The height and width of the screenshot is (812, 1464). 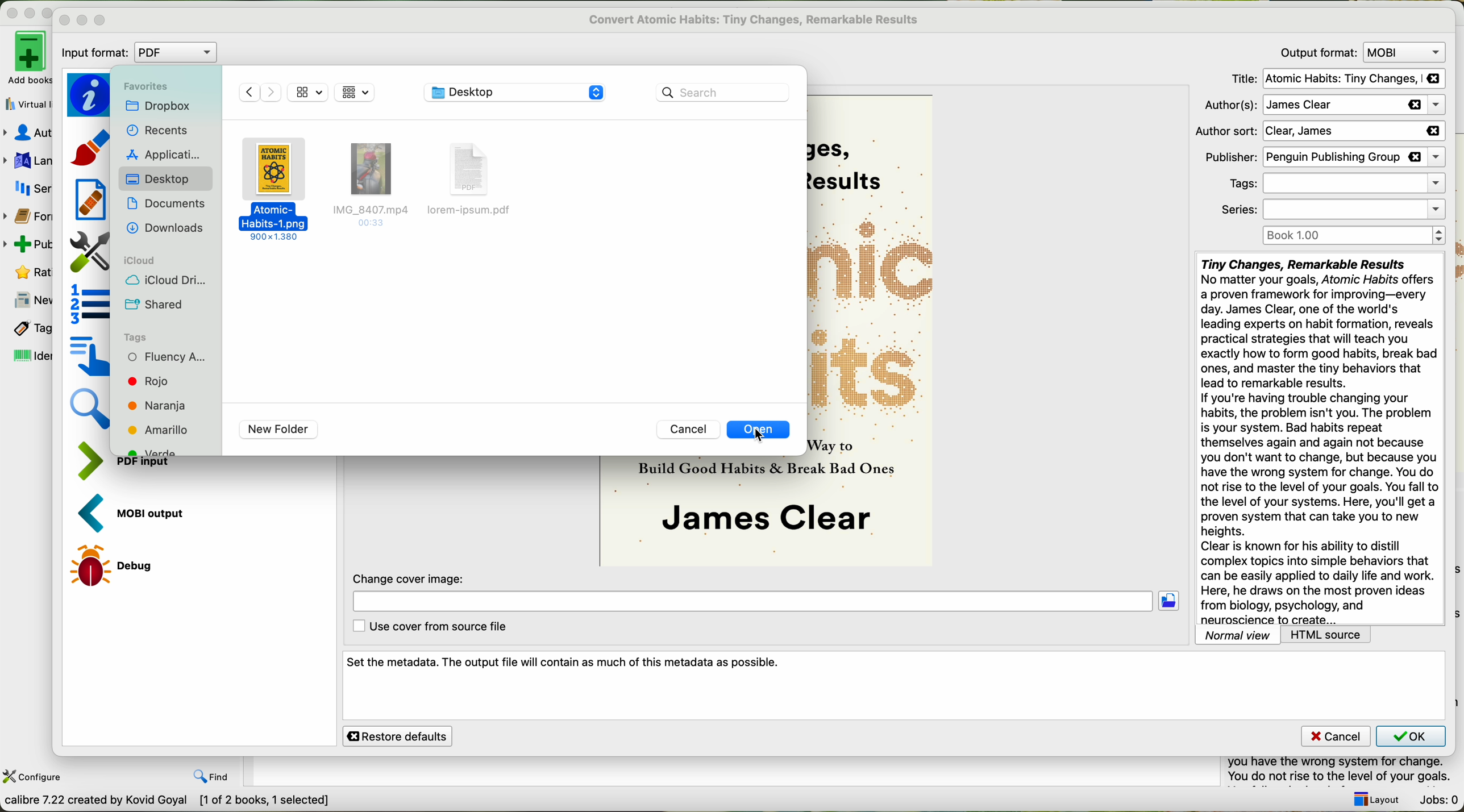 I want to click on heuristic processing, so click(x=90, y=199).